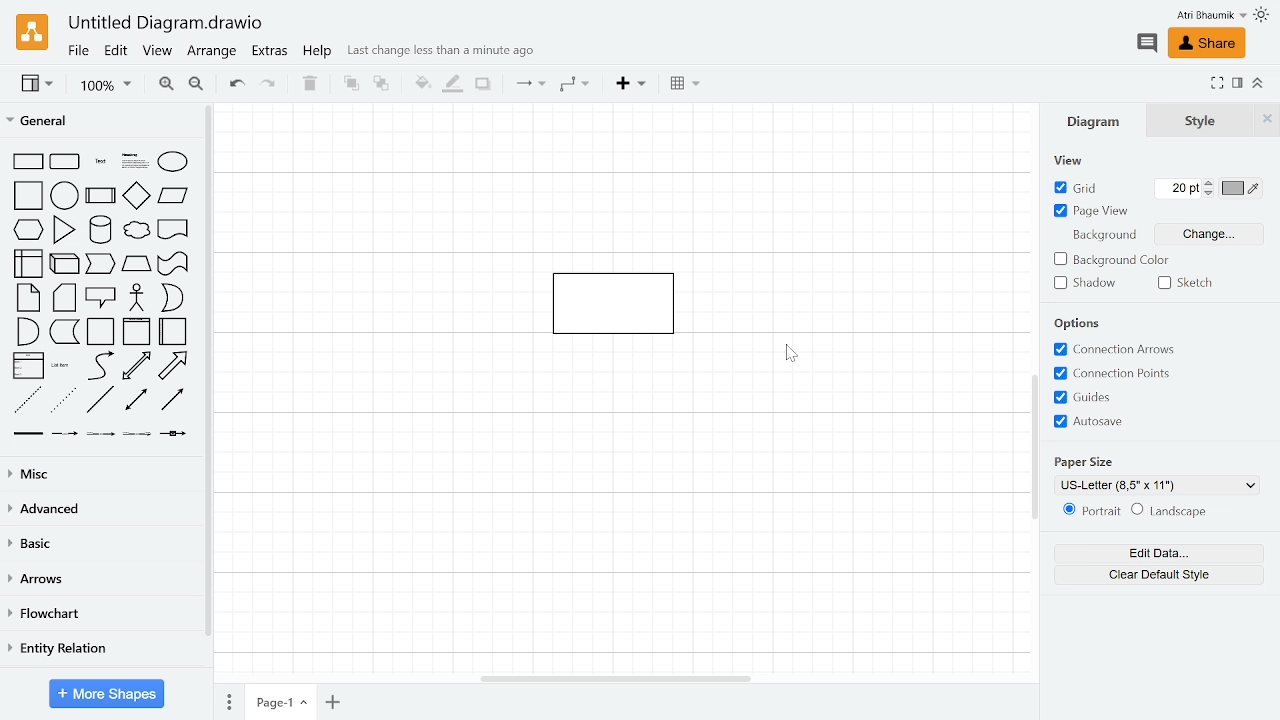  Describe the element at coordinates (1179, 189) in the screenshot. I see `Grid pts` at that location.